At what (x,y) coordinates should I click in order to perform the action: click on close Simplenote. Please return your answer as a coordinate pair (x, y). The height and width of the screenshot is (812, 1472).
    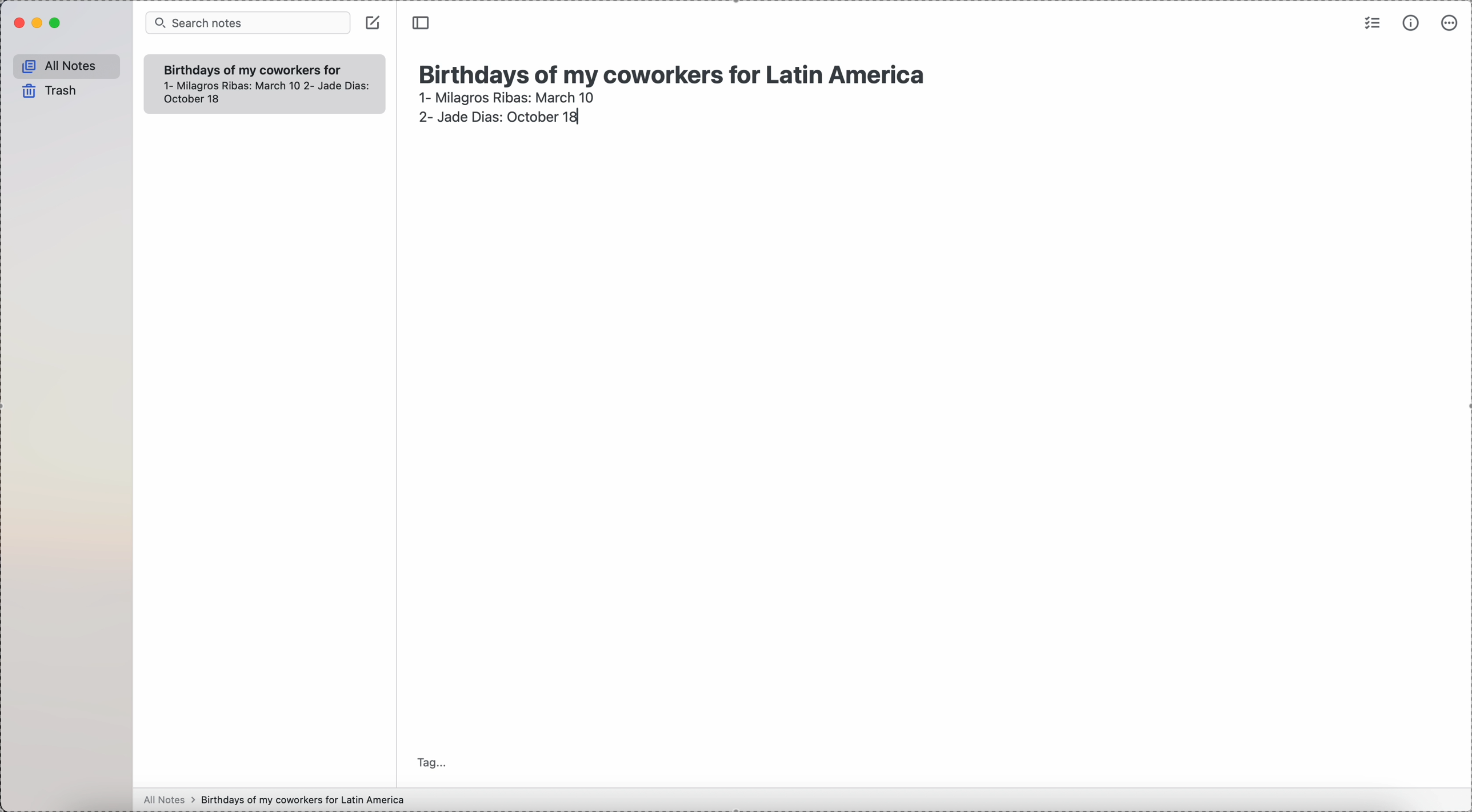
    Looking at the image, I should click on (18, 23).